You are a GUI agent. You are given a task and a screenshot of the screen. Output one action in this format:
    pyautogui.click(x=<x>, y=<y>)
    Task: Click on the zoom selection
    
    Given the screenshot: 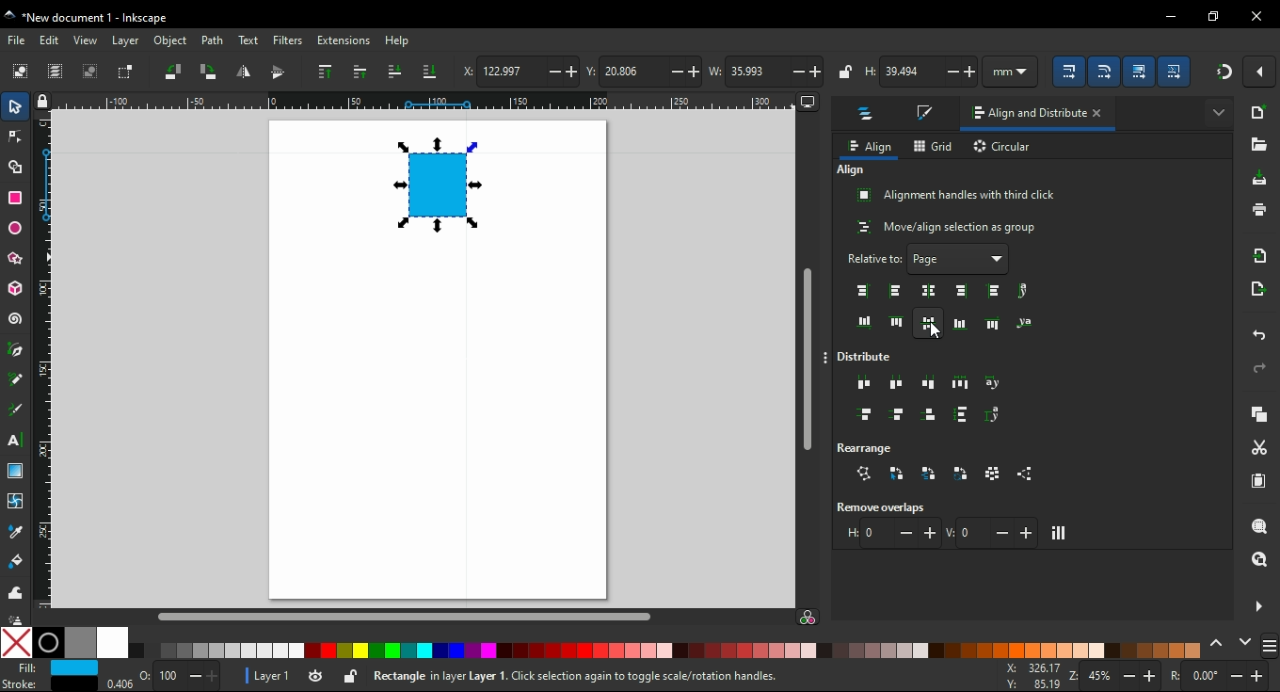 What is the action you would take?
    pyautogui.click(x=1259, y=525)
    